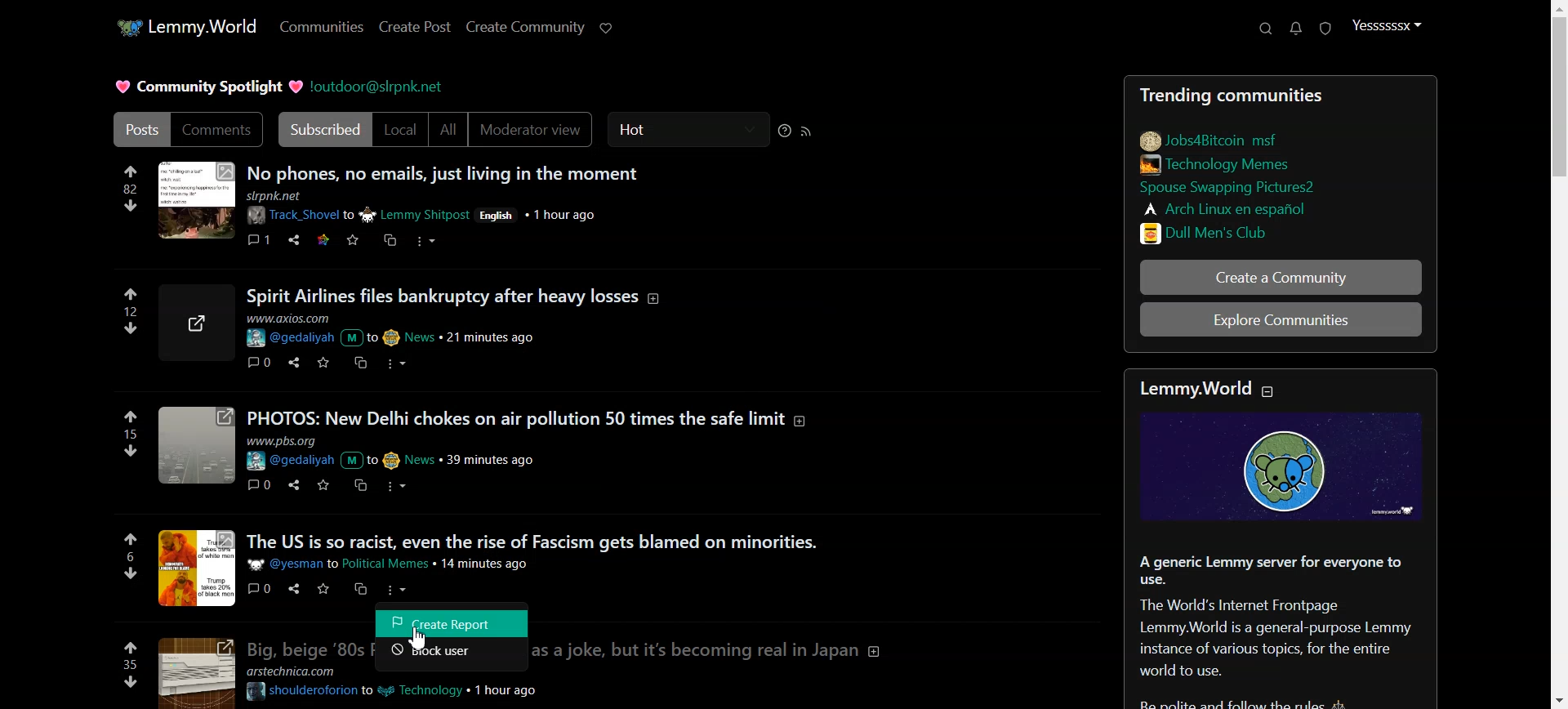 Image resolution: width=1568 pixels, height=709 pixels. What do you see at coordinates (526, 27) in the screenshot?
I see `Create Community` at bounding box center [526, 27].